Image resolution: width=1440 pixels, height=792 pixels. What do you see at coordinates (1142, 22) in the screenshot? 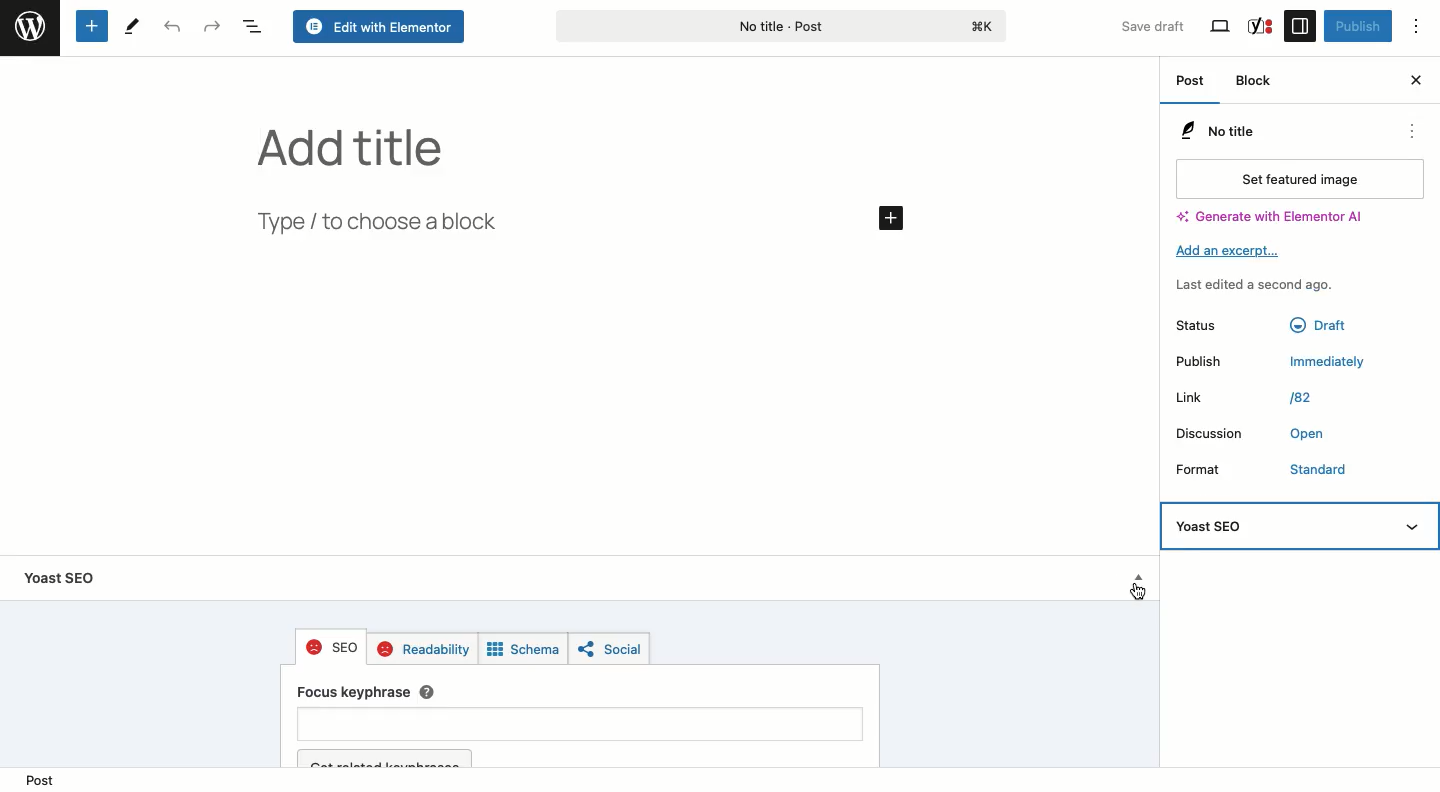
I see `Save draft` at bounding box center [1142, 22].